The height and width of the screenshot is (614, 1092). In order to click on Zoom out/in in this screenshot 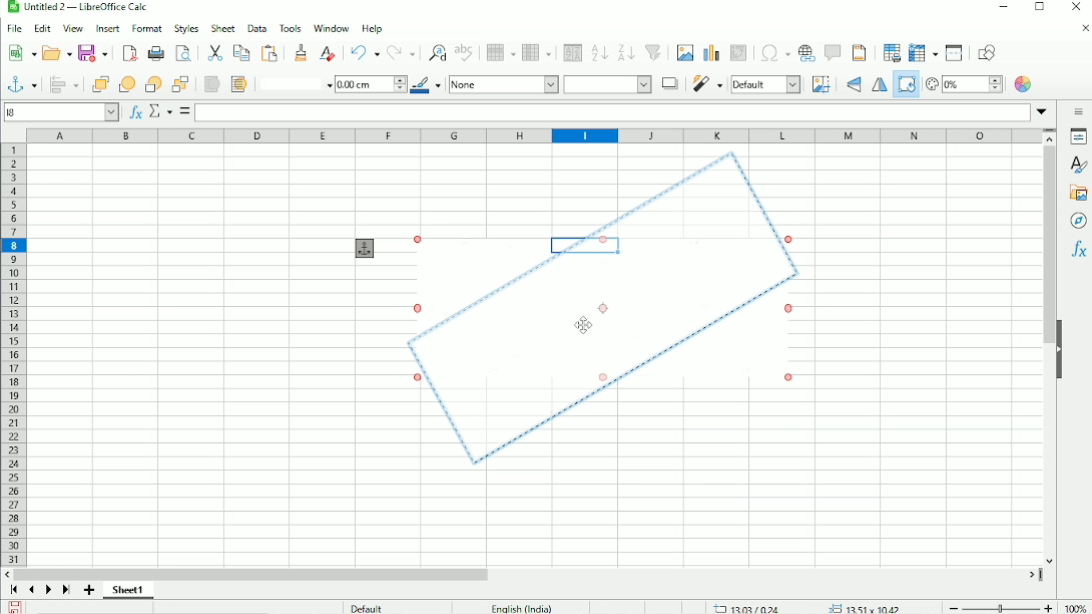, I will do `click(998, 605)`.